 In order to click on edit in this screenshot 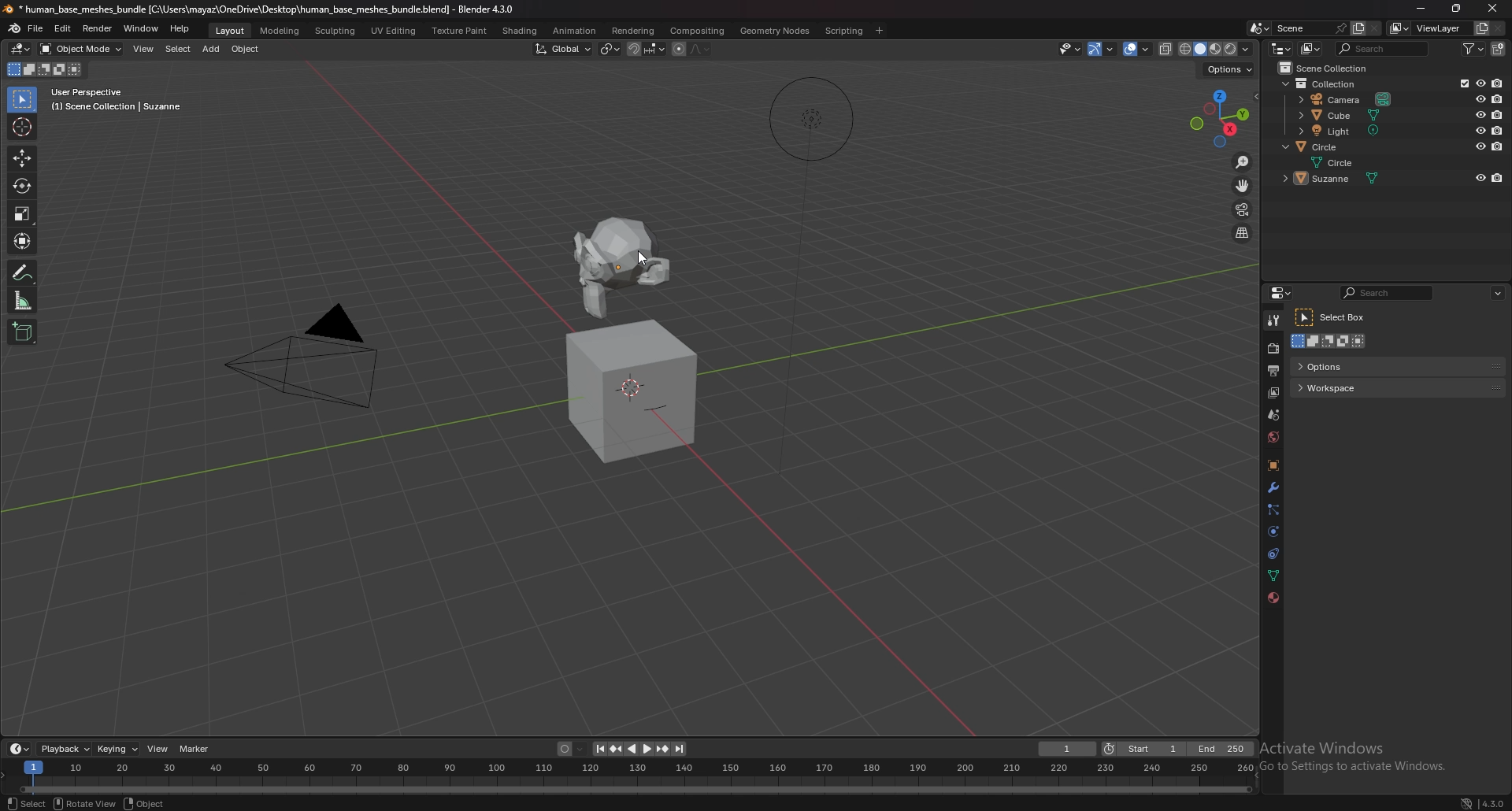, I will do `click(62, 28)`.